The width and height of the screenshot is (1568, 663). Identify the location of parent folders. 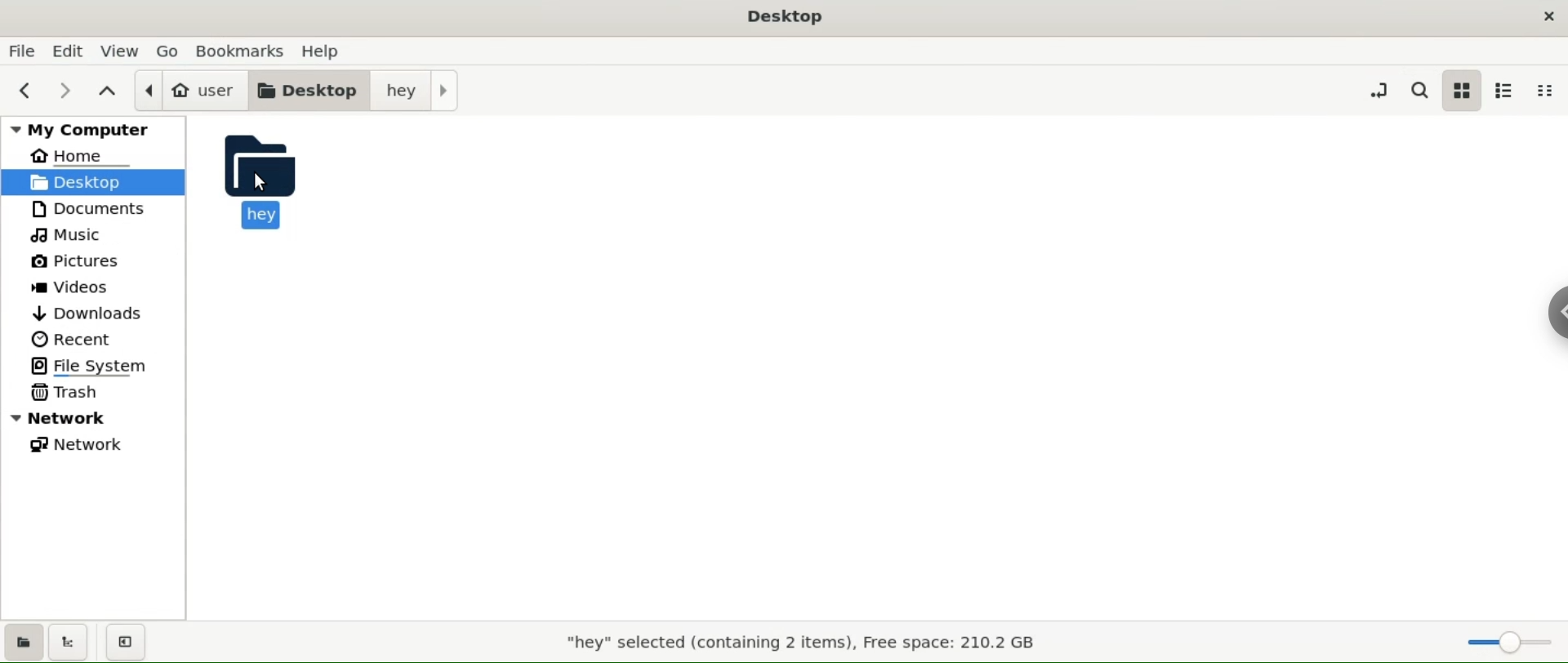
(109, 91).